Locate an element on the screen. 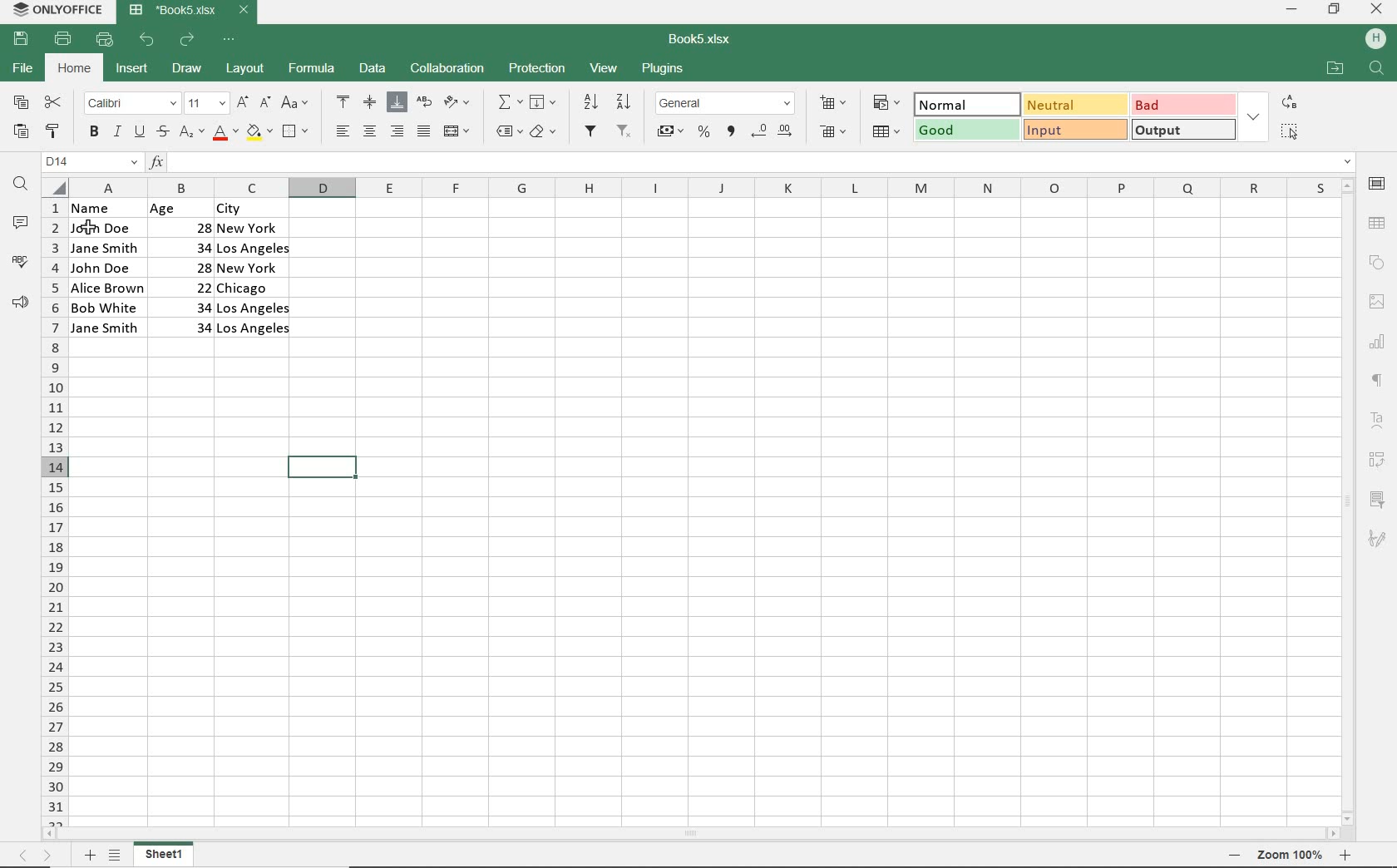 The image size is (1397, 868). ALIGN LEFT is located at coordinates (341, 132).